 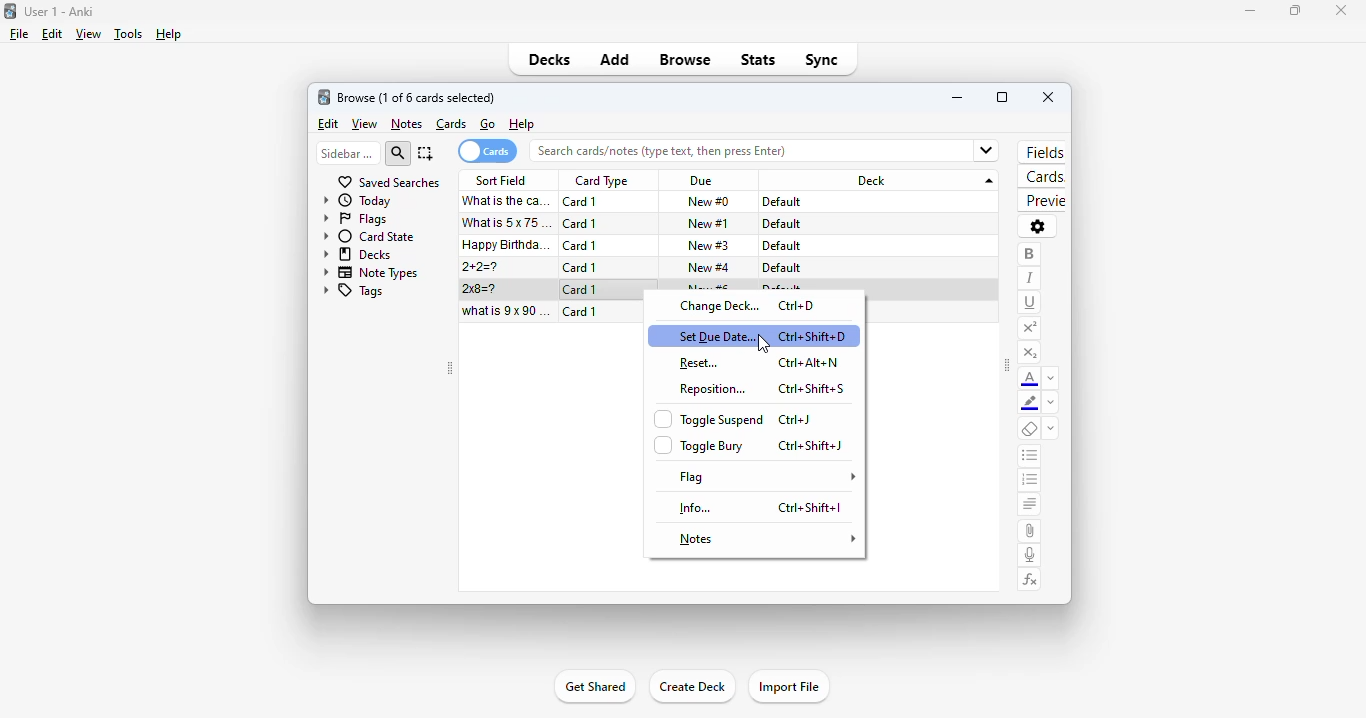 What do you see at coordinates (821, 60) in the screenshot?
I see `sync` at bounding box center [821, 60].